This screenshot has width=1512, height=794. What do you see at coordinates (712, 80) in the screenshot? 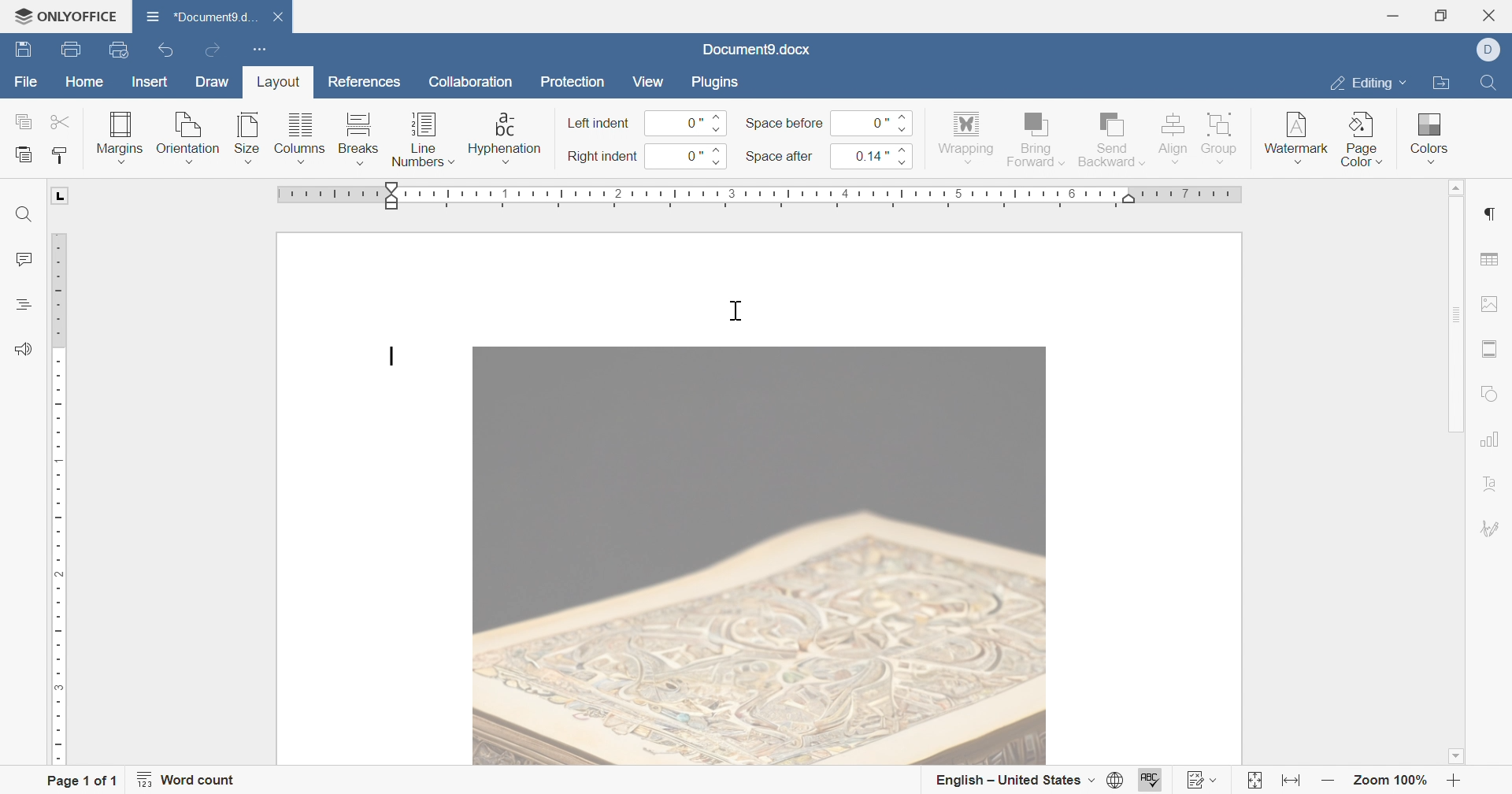
I see `plugins` at bounding box center [712, 80].